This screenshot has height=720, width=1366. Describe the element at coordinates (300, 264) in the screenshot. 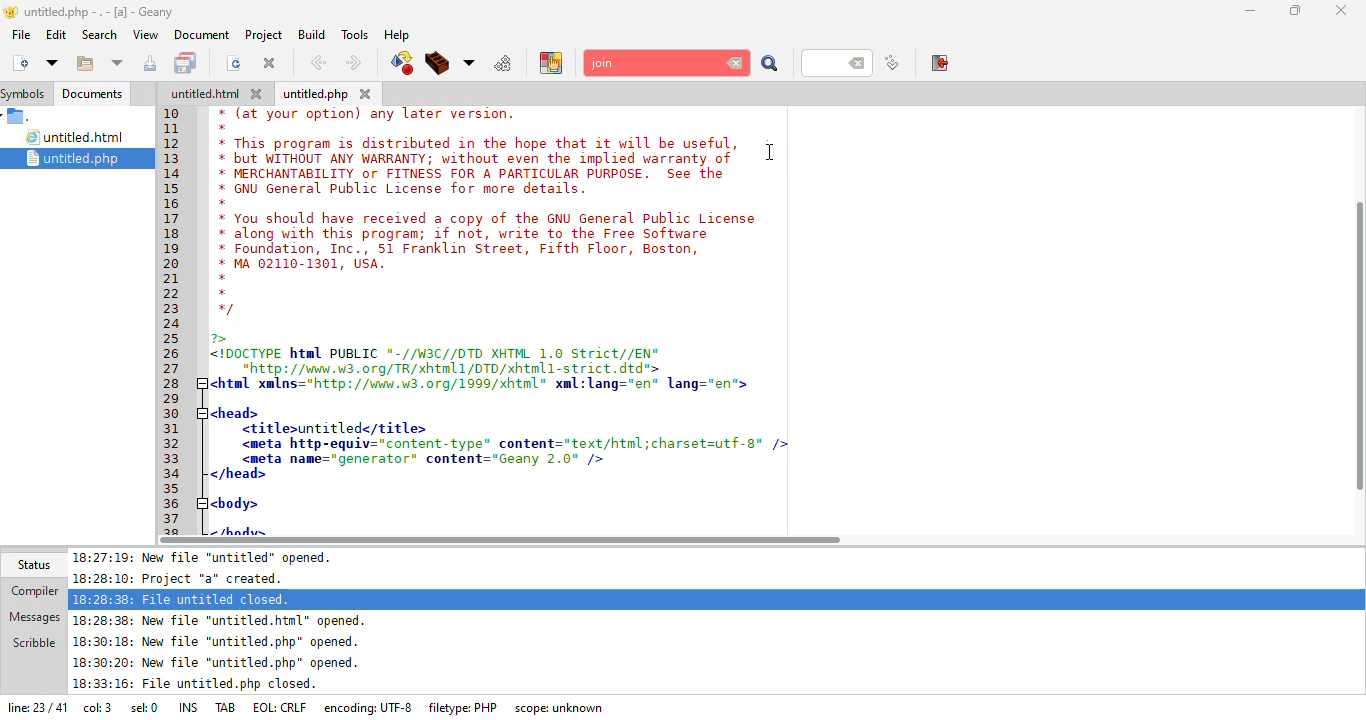

I see `* MA 02110-1301, USA.` at that location.